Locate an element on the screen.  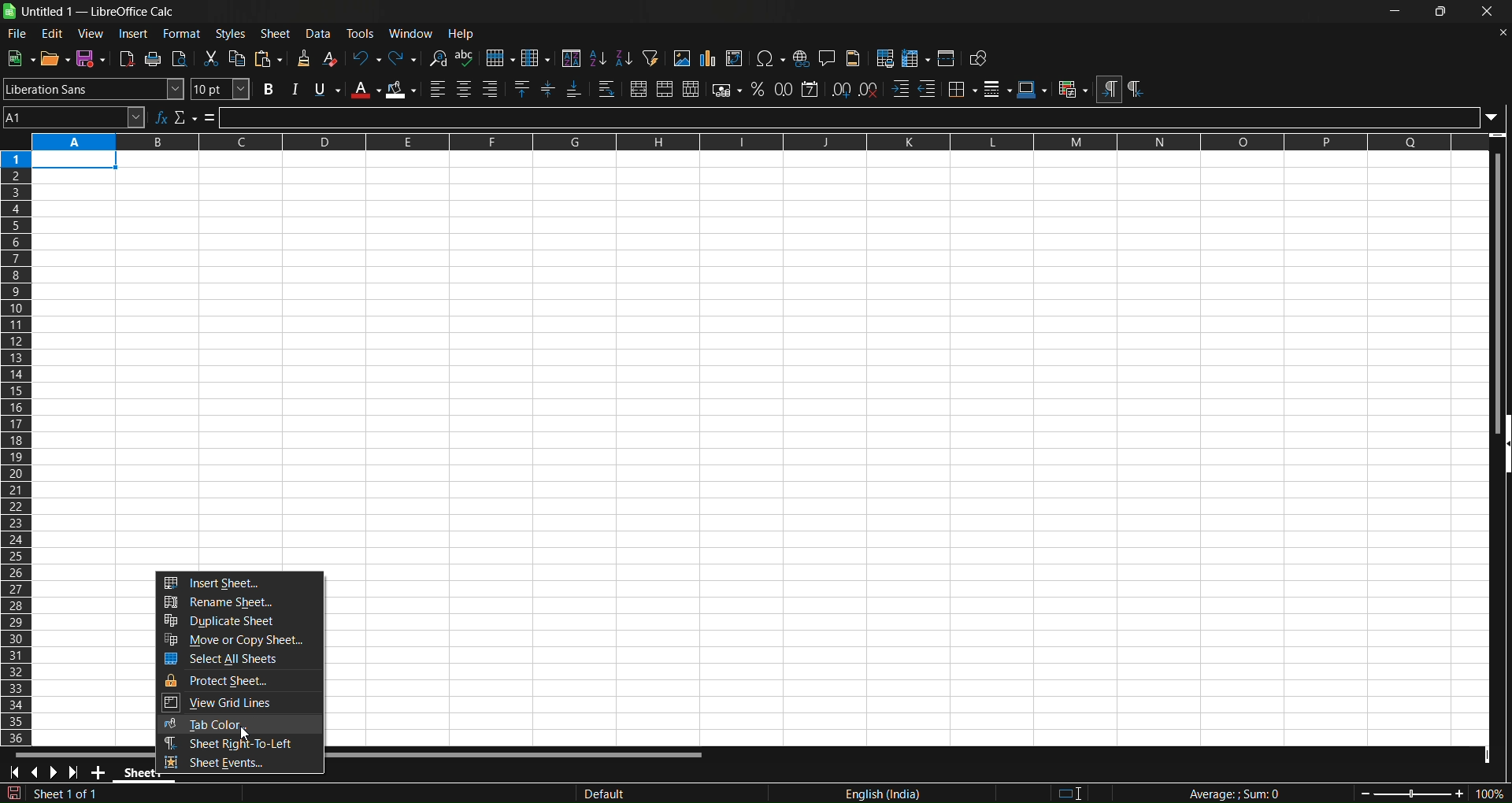
align top is located at coordinates (524, 90).